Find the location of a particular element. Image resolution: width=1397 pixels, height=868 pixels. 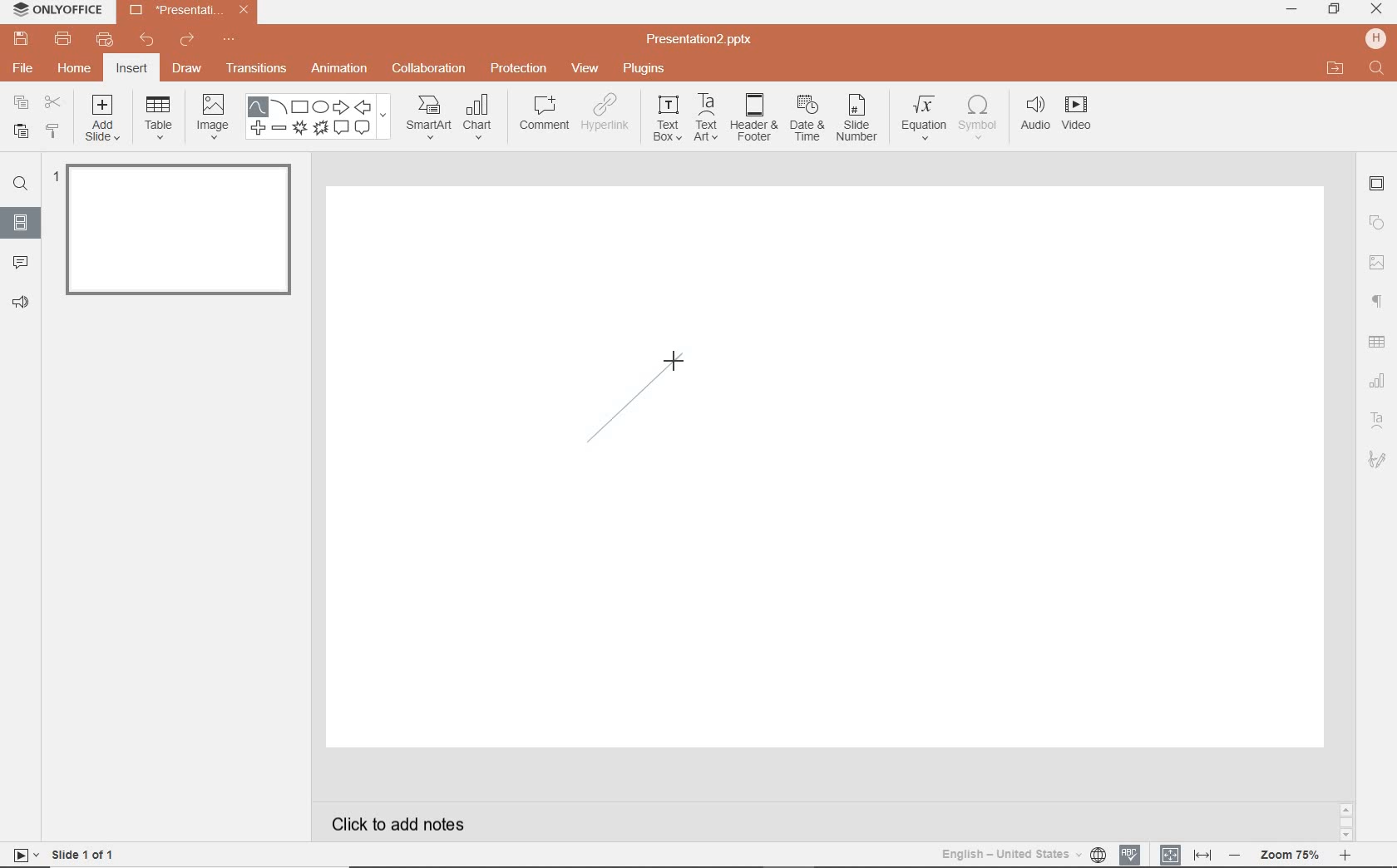

SMART ART is located at coordinates (427, 119).